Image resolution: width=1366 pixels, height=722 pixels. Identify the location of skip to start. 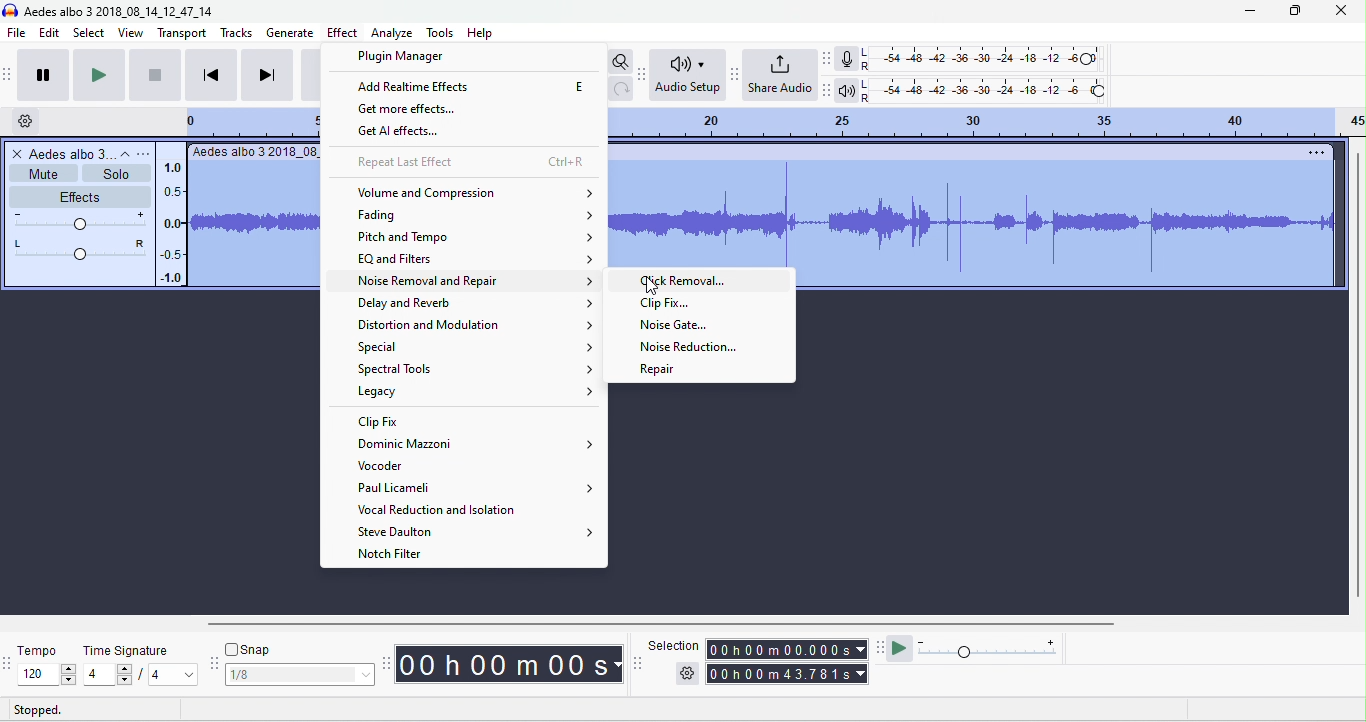
(211, 75).